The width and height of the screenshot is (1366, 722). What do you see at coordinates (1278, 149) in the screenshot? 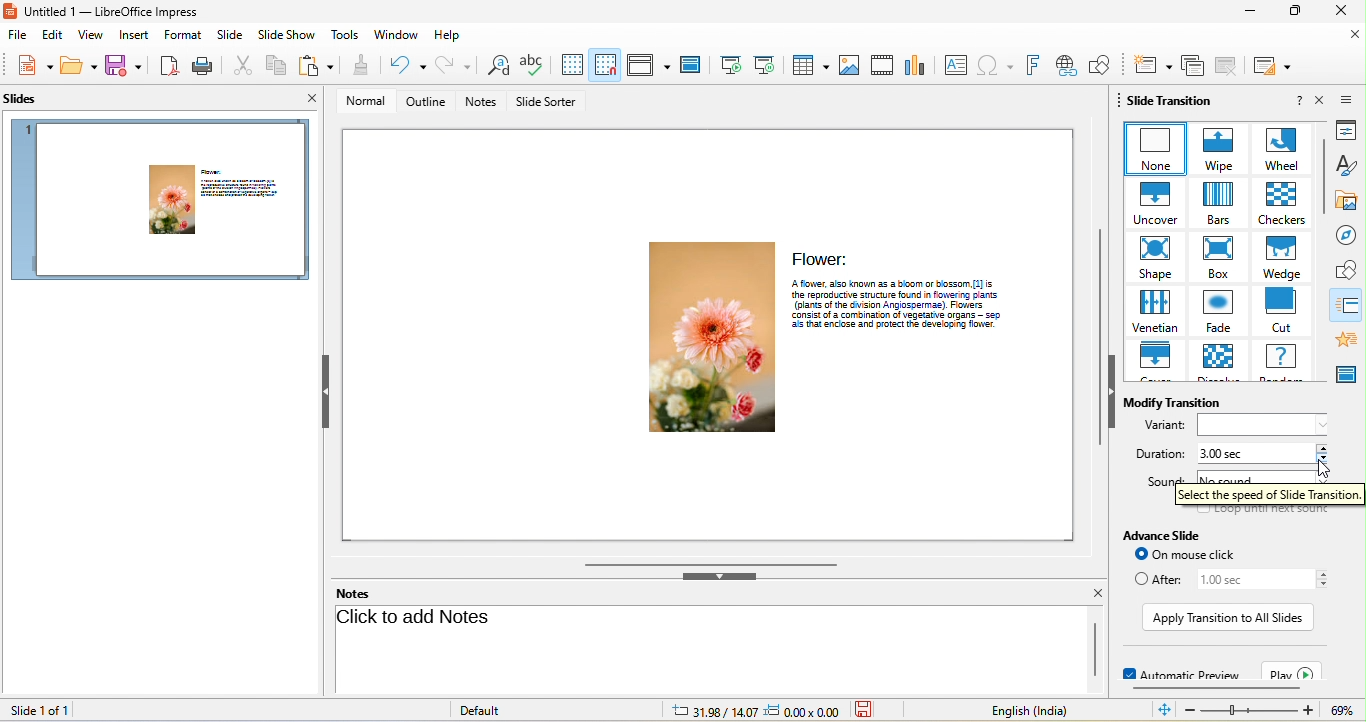
I see `wheel` at bounding box center [1278, 149].